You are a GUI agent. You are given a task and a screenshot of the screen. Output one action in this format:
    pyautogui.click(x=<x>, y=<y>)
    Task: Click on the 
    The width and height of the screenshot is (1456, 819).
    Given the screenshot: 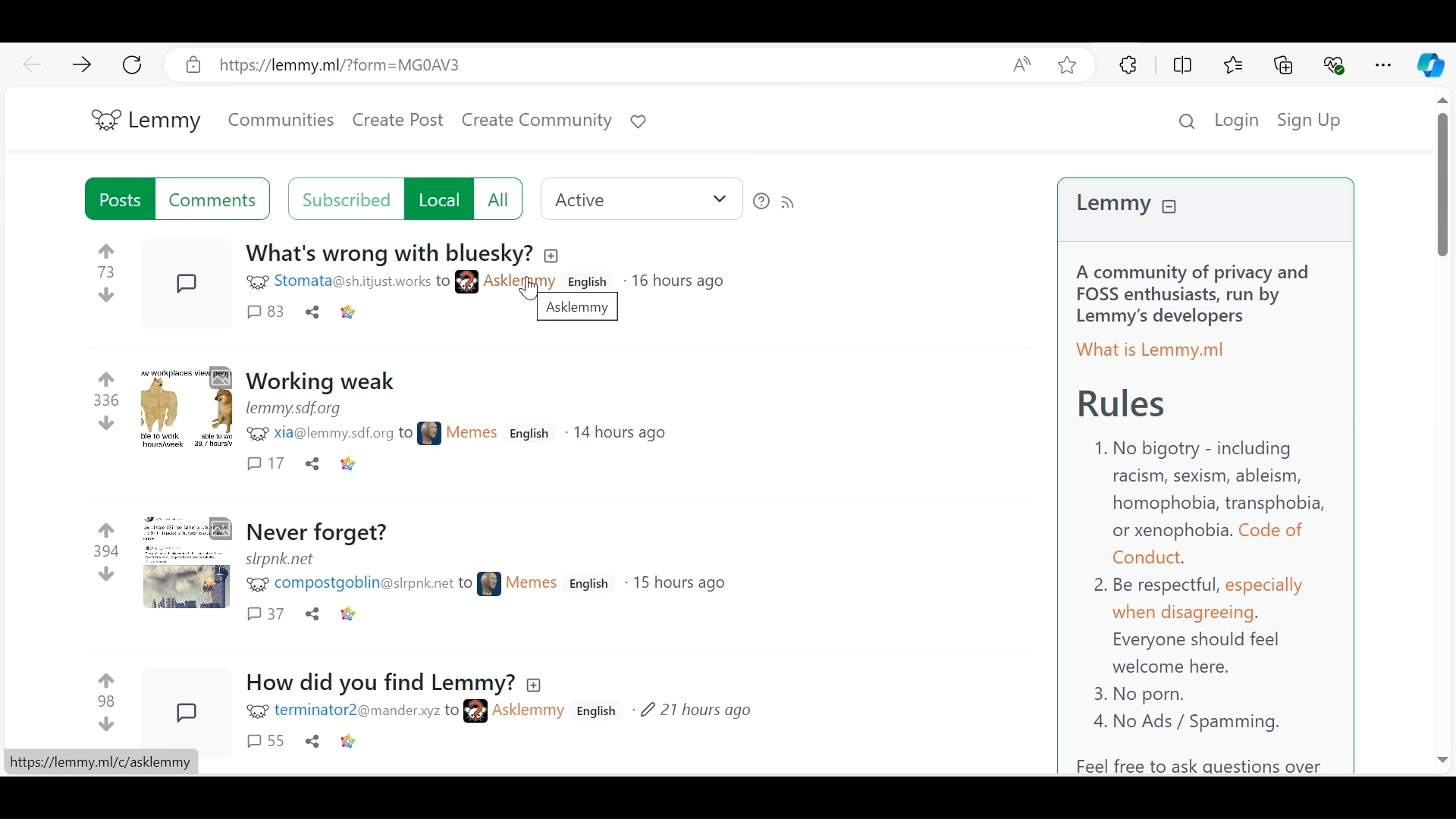 What is the action you would take?
    pyautogui.click(x=1439, y=101)
    